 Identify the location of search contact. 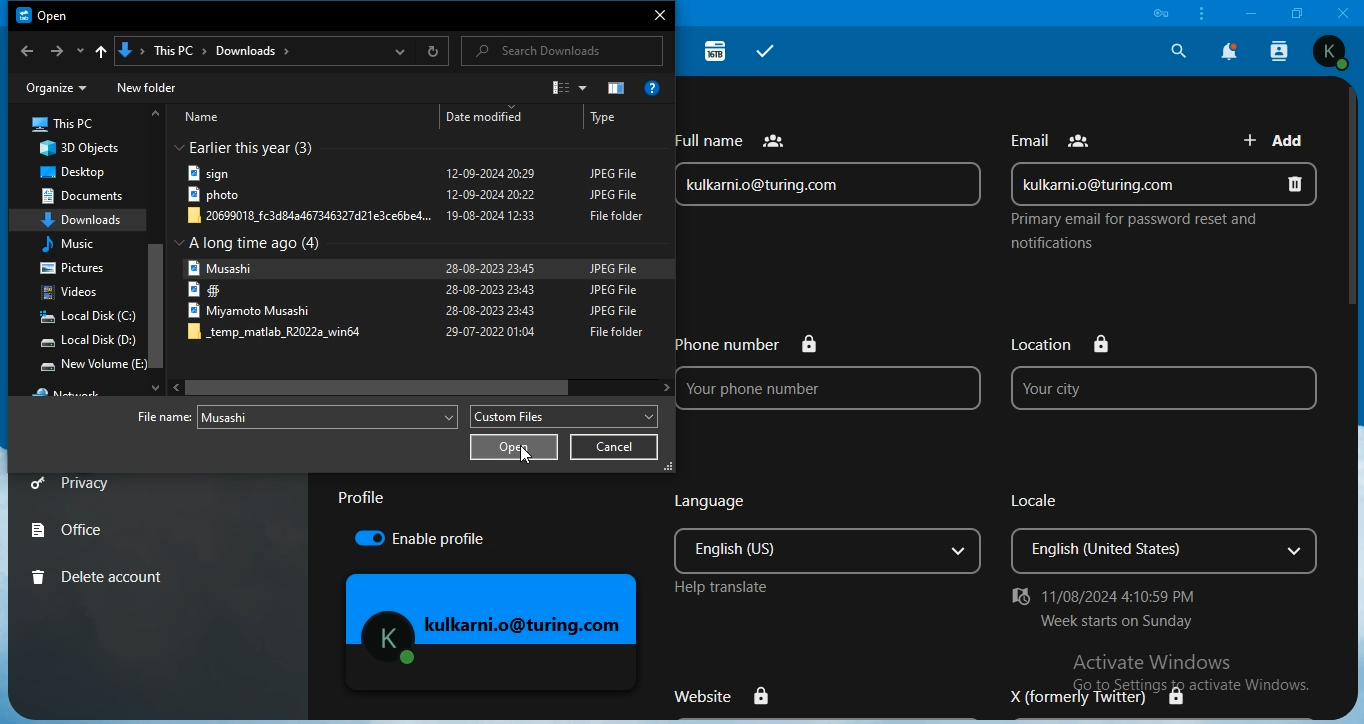
(1281, 51).